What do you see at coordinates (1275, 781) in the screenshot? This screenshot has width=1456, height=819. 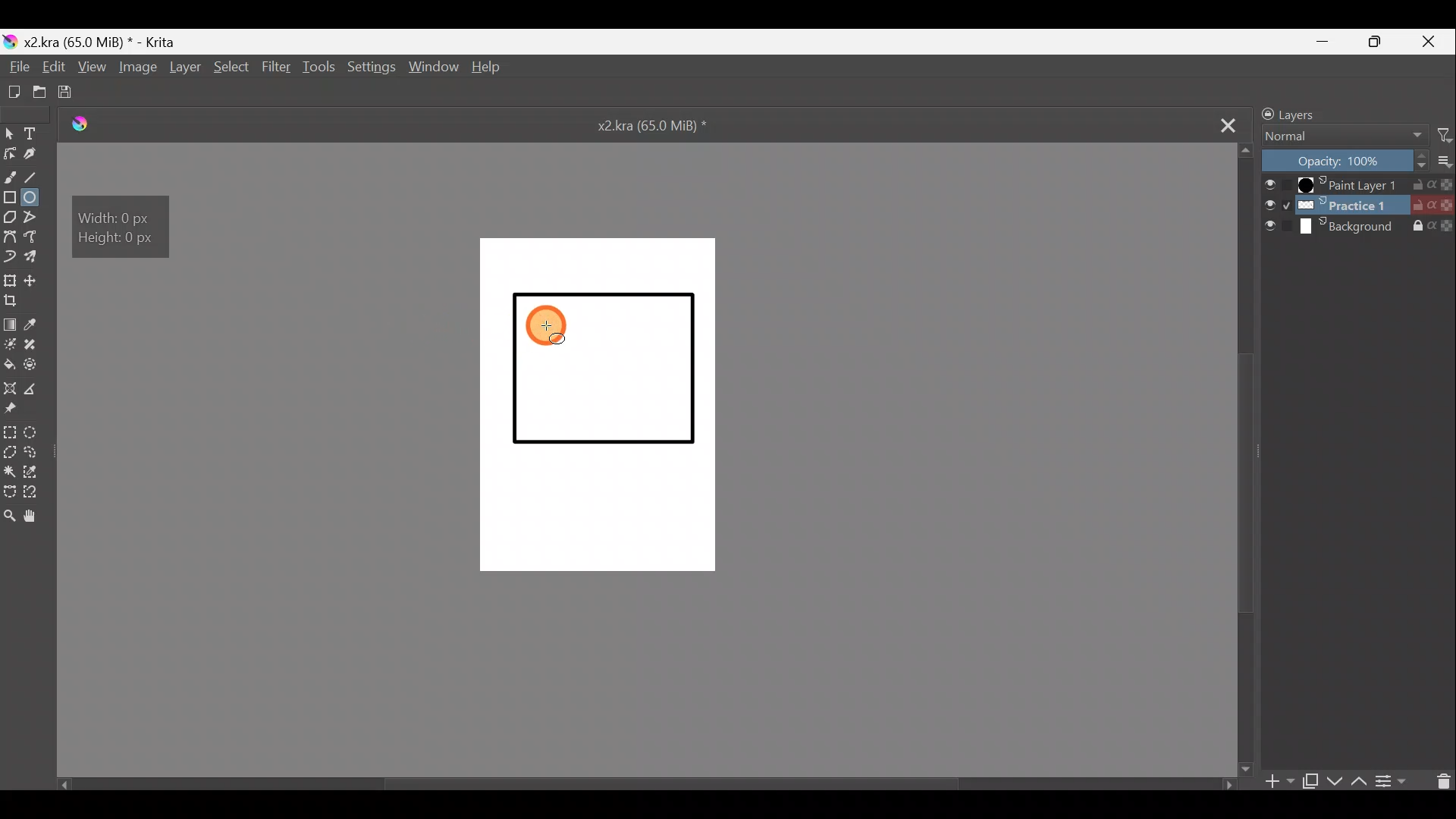 I see `Add layer` at bounding box center [1275, 781].